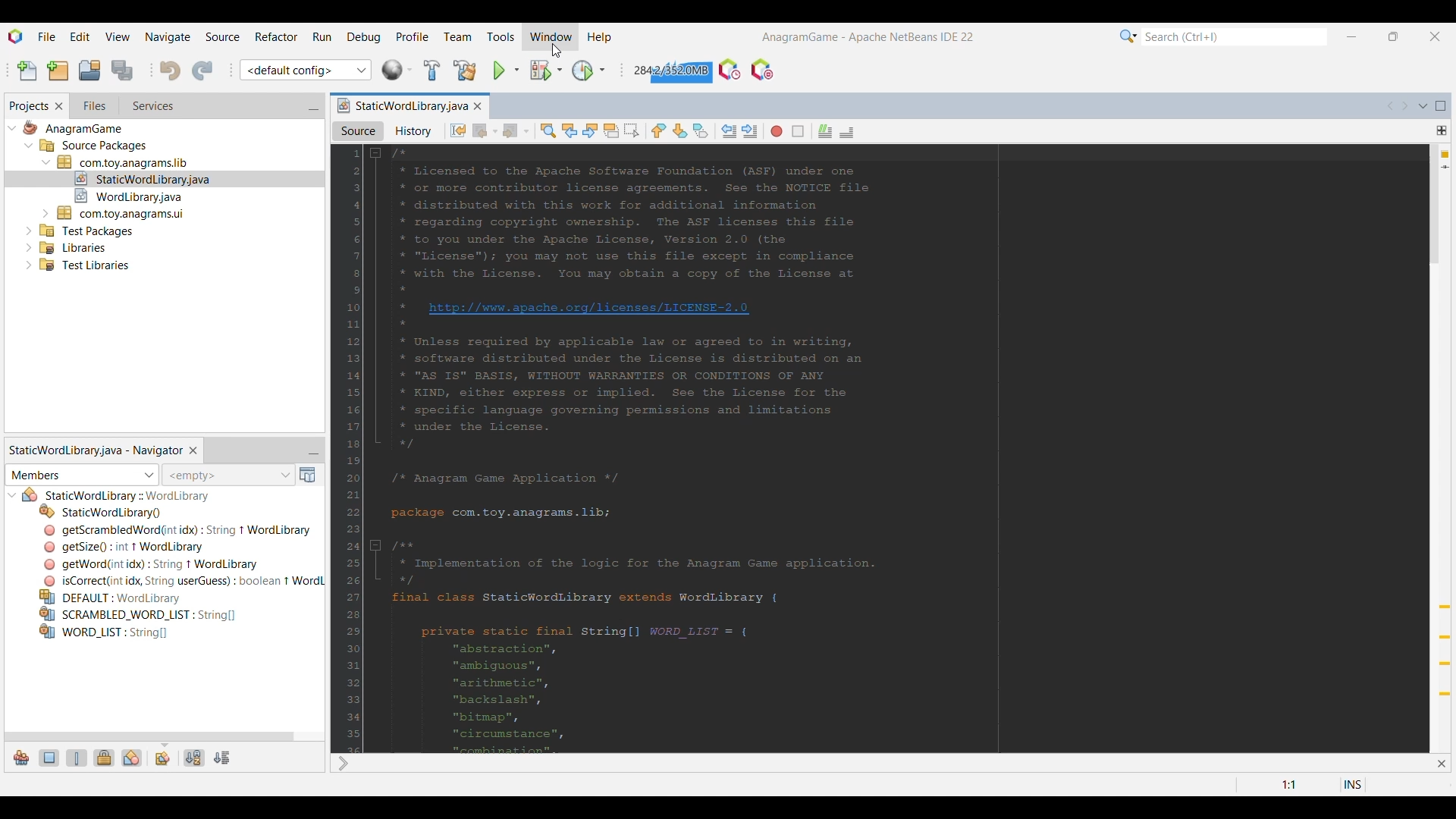  Describe the element at coordinates (670, 70) in the screenshot. I see `Click to force garbage collection` at that location.